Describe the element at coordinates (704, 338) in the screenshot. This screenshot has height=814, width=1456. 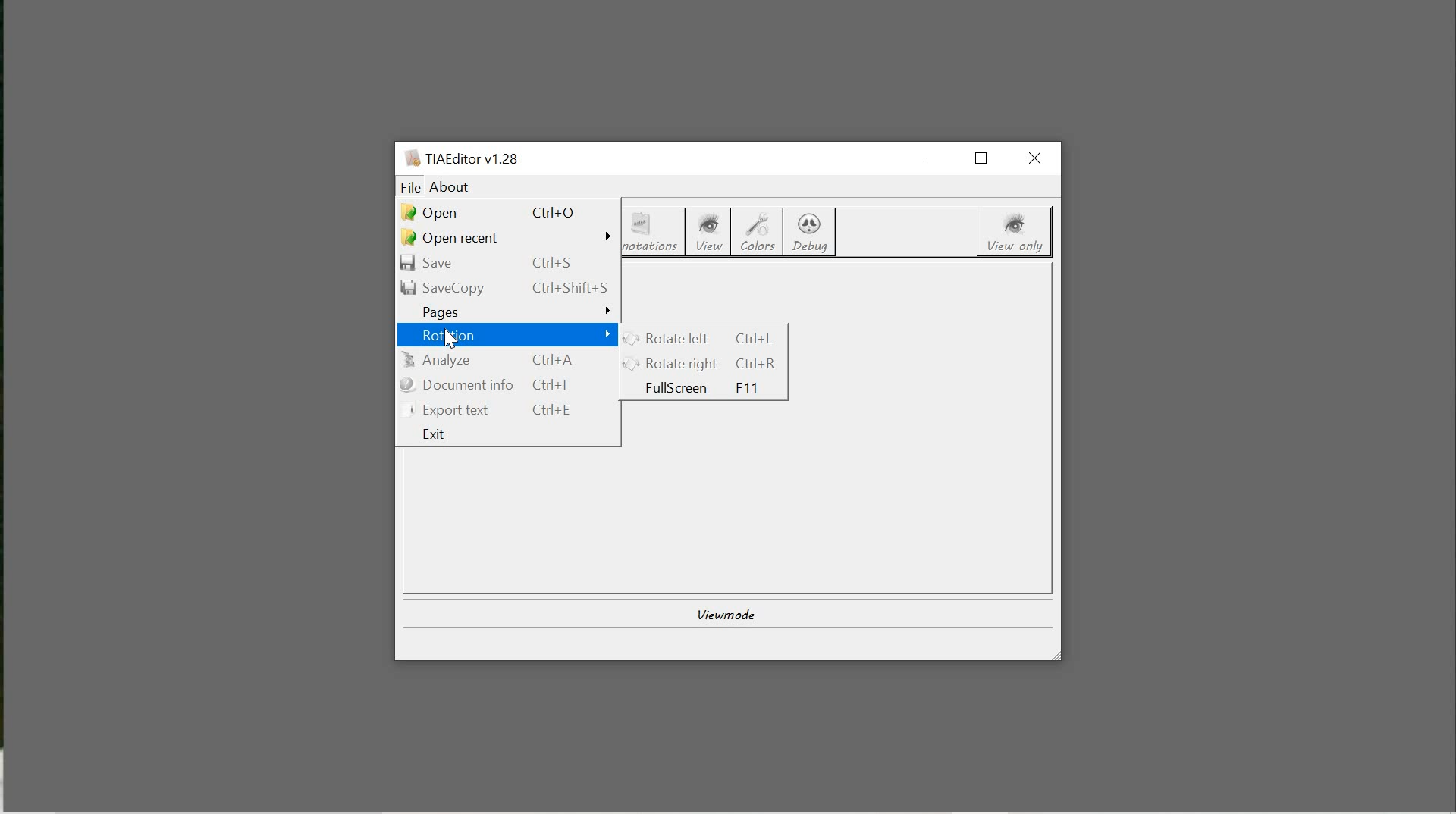
I see `rotate left` at that location.